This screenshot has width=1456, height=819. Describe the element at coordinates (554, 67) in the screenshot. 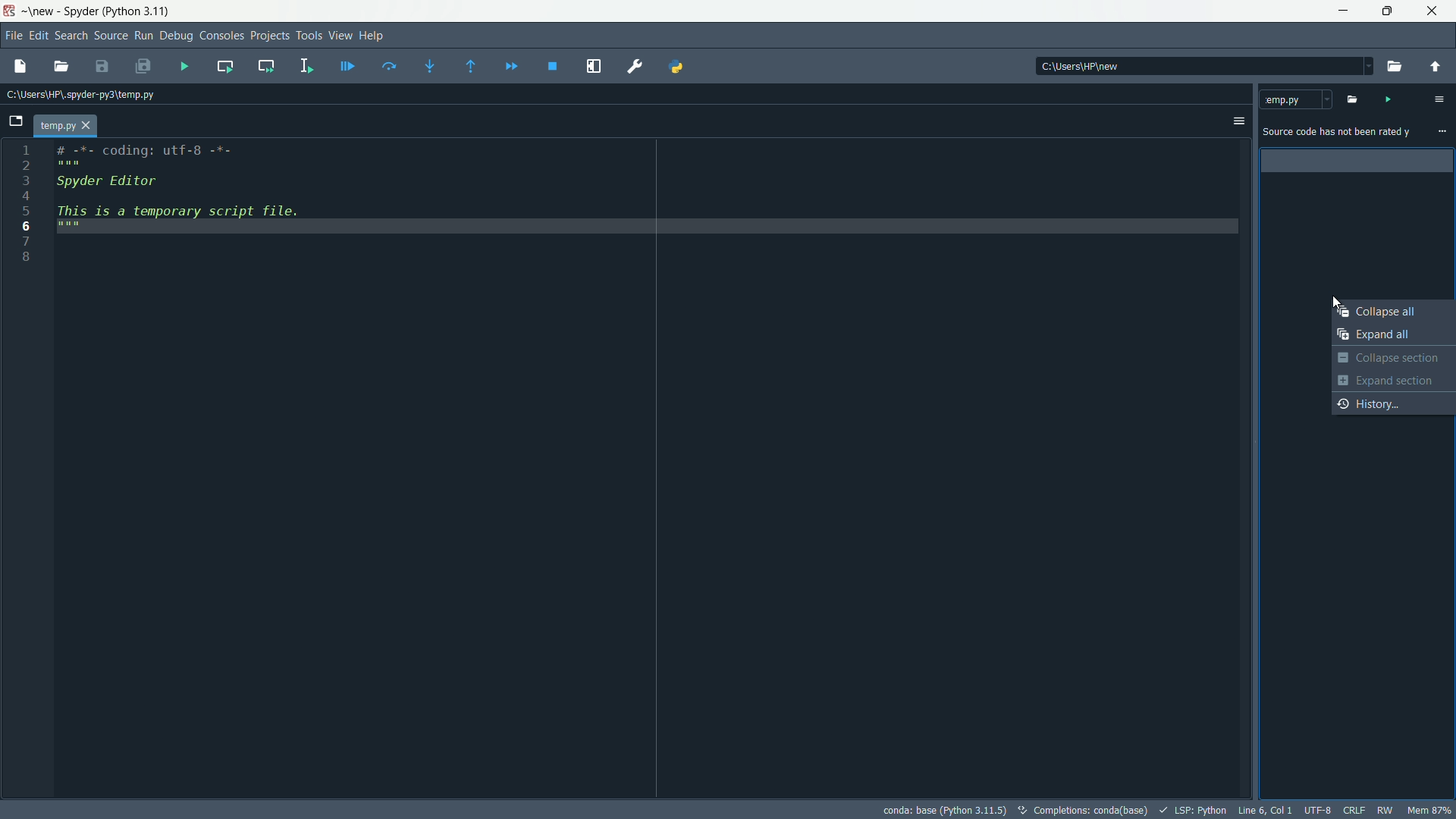

I see `stop debugging` at that location.